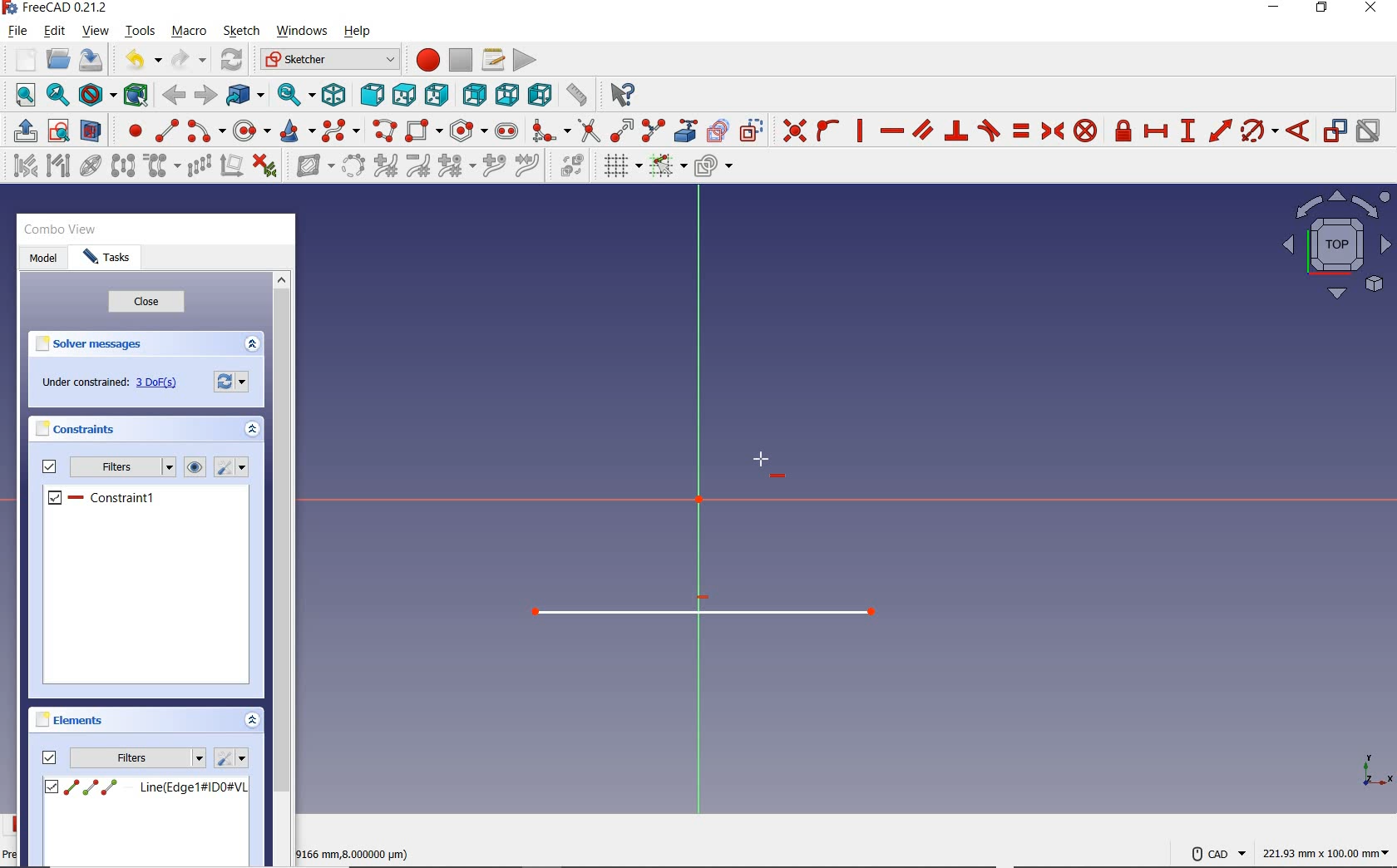 This screenshot has height=868, width=1397. I want to click on STOP MACRO RECORDING, so click(461, 58).